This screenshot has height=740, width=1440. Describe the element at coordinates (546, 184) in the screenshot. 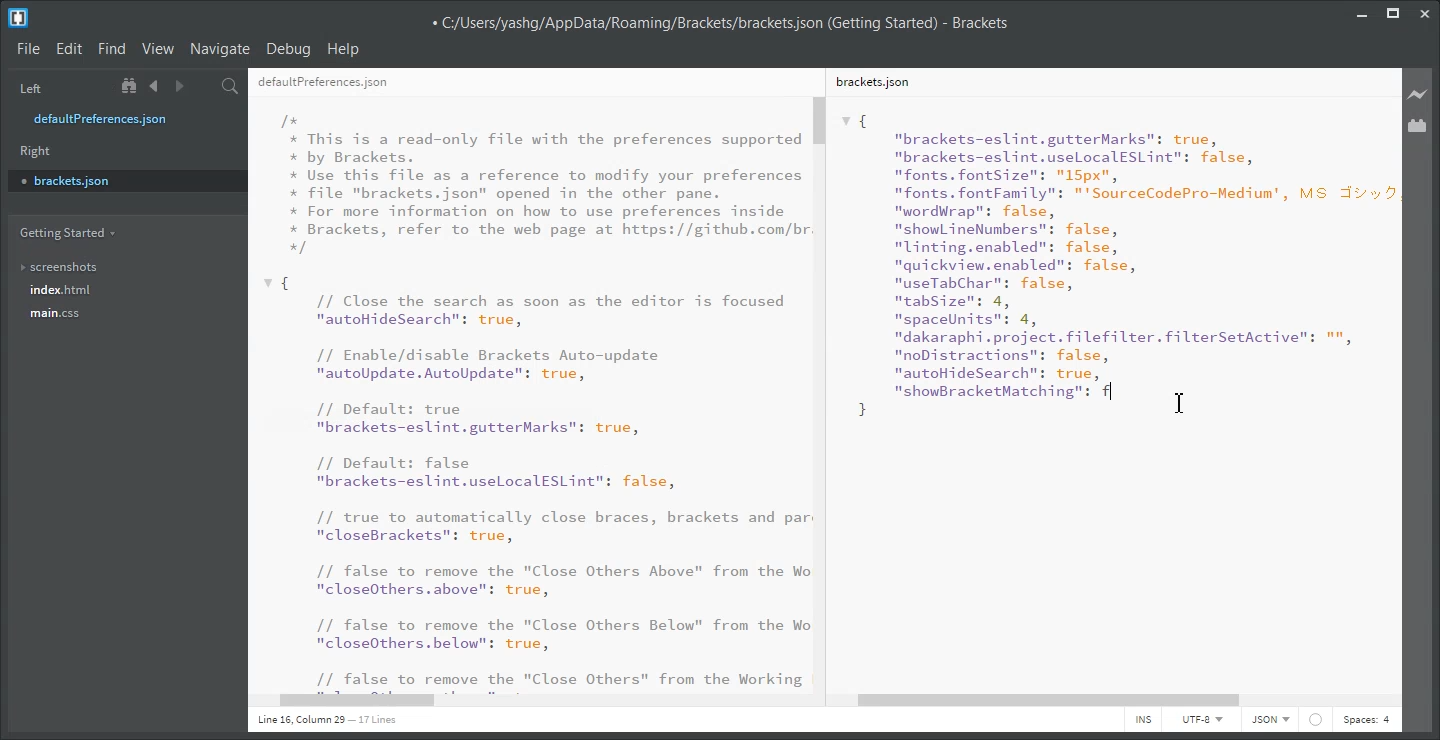

I see `/*

* This is a read-only file with the preferences supported
* by Brackets.

* Use this file as a reference to modify your preferences
* file "brackets.json" opened in the other pane.

* For more information on how to use preferences inside

* Brackets, refer to the web page at https://github.com/br
*/` at that location.